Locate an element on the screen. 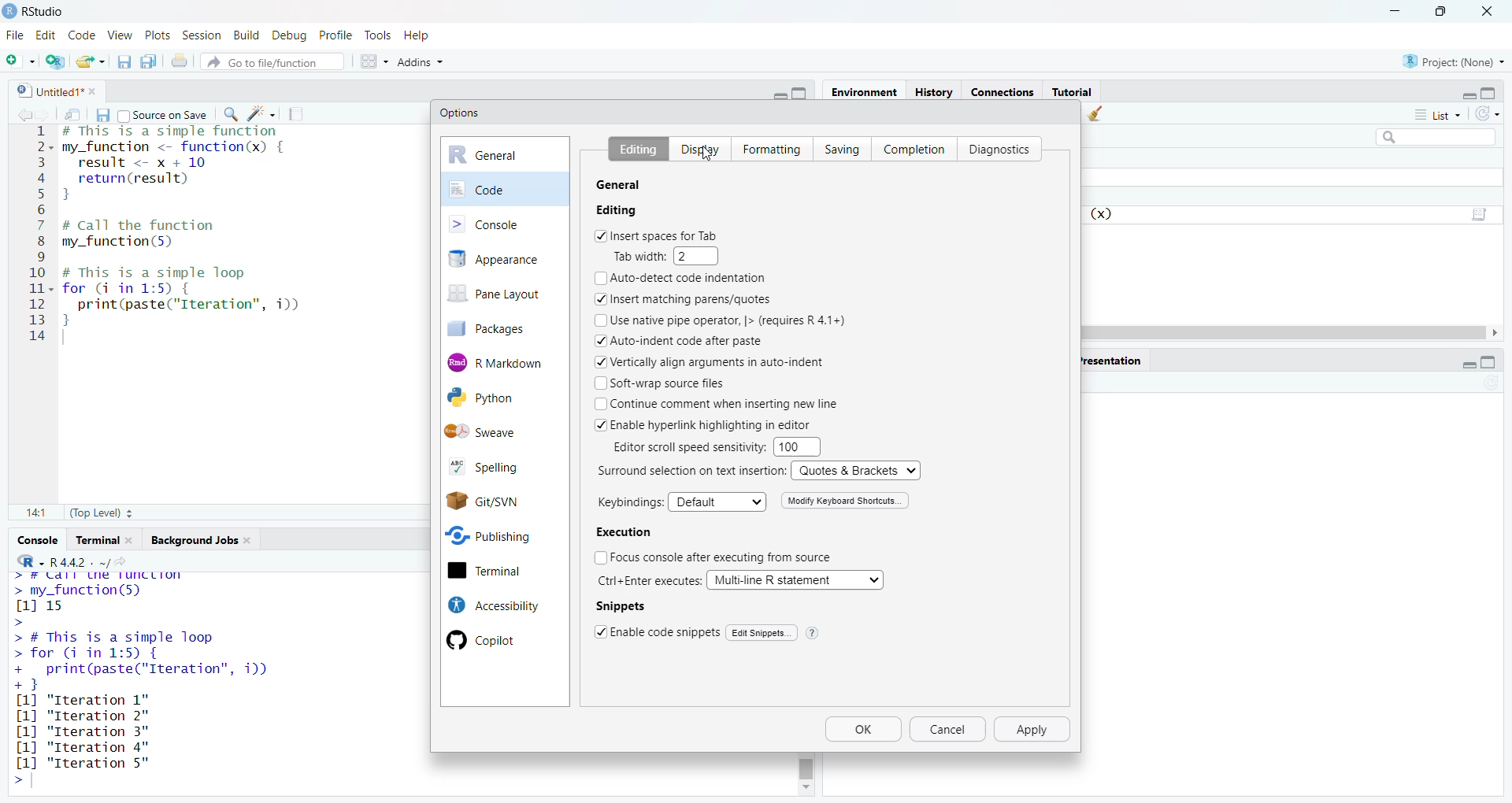  general is located at coordinates (506, 155).